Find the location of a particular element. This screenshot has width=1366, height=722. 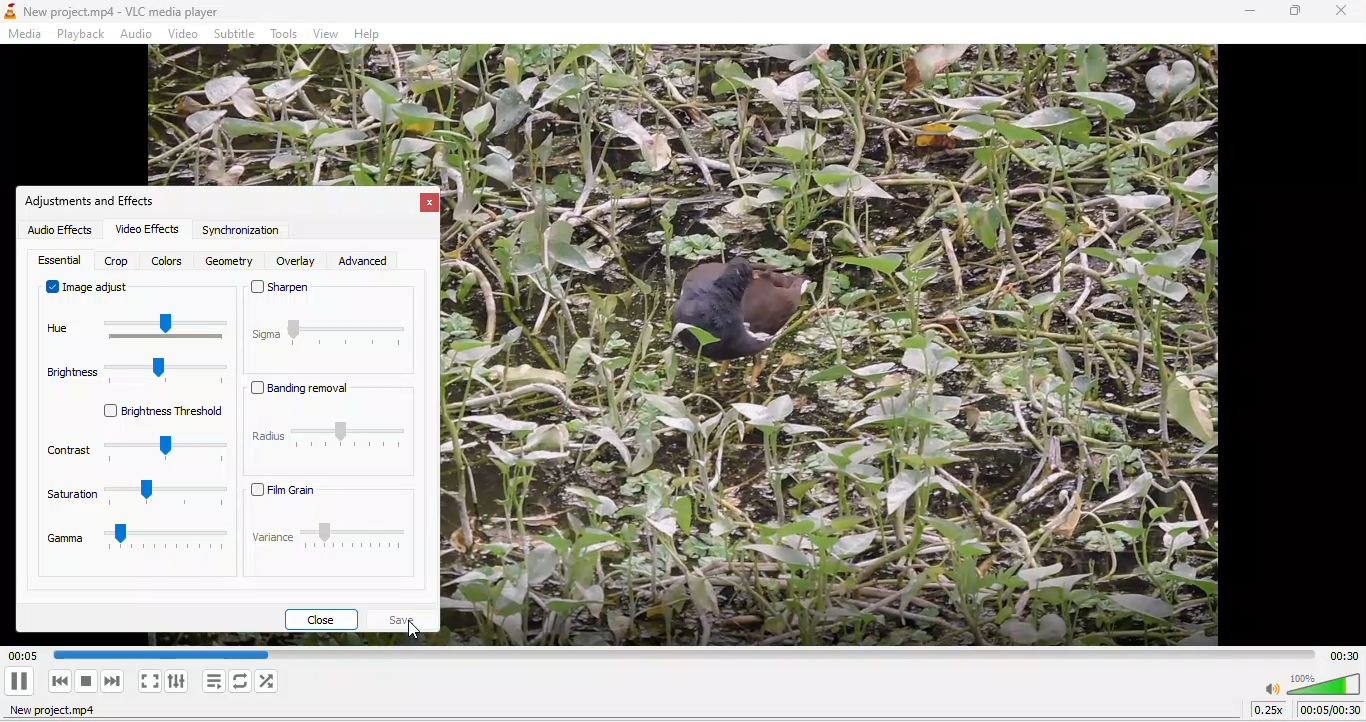

crop is located at coordinates (116, 262).